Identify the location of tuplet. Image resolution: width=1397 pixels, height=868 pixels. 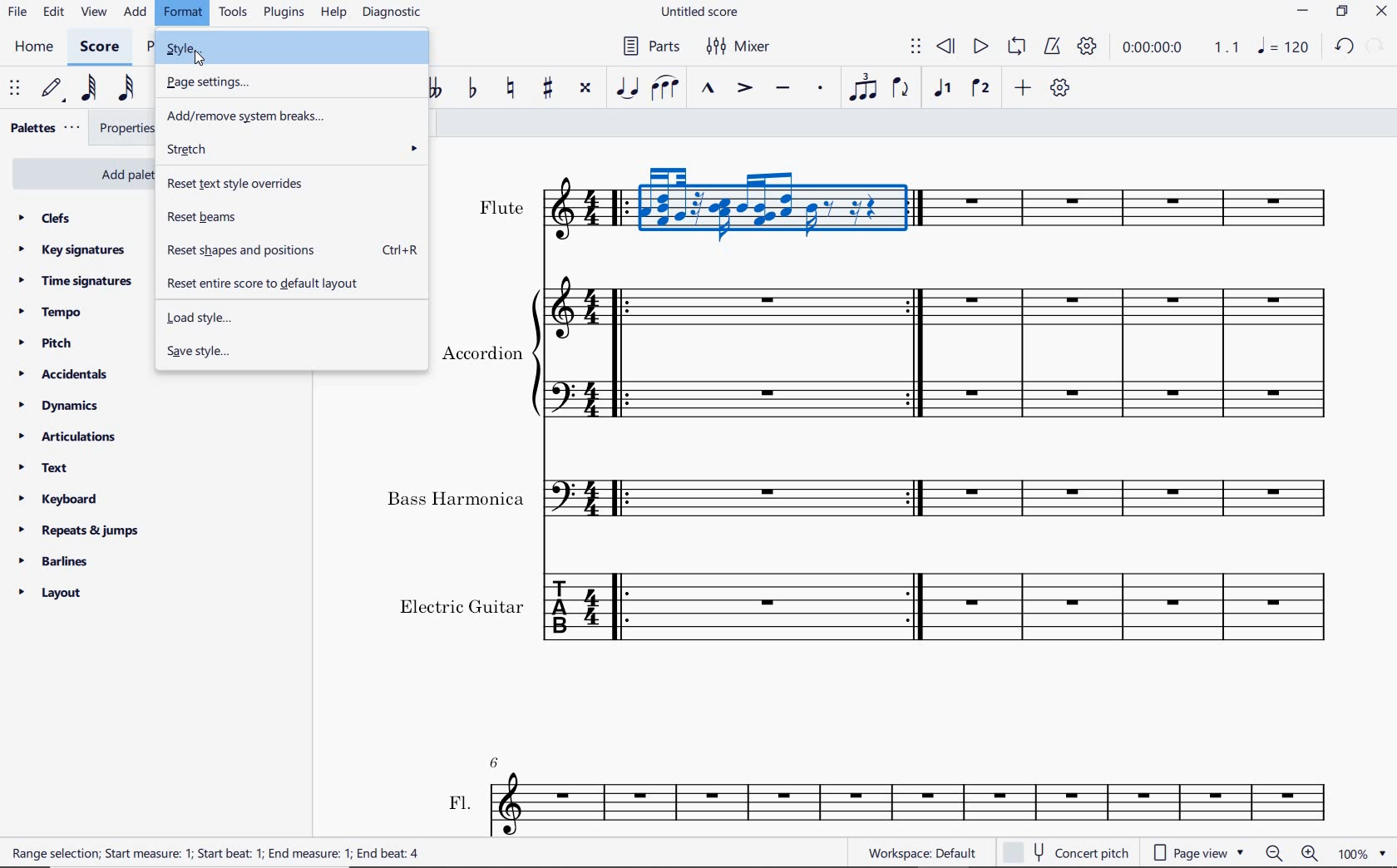
(861, 87).